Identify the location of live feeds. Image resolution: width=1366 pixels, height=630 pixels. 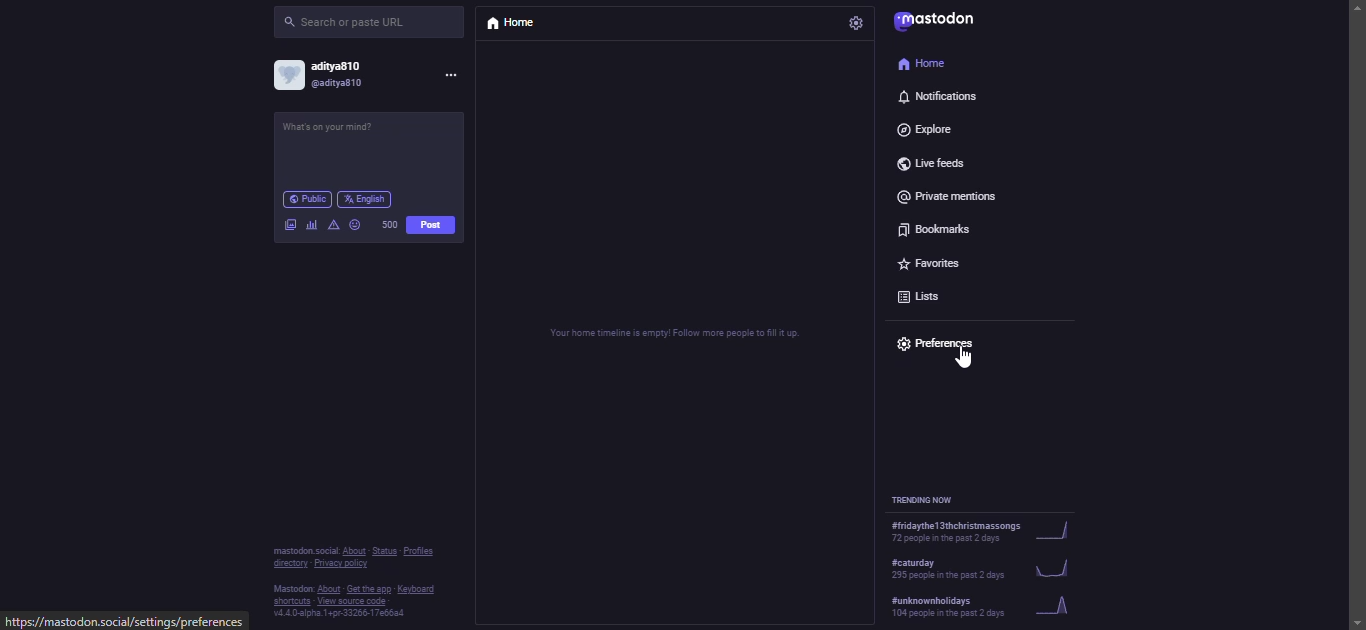
(933, 160).